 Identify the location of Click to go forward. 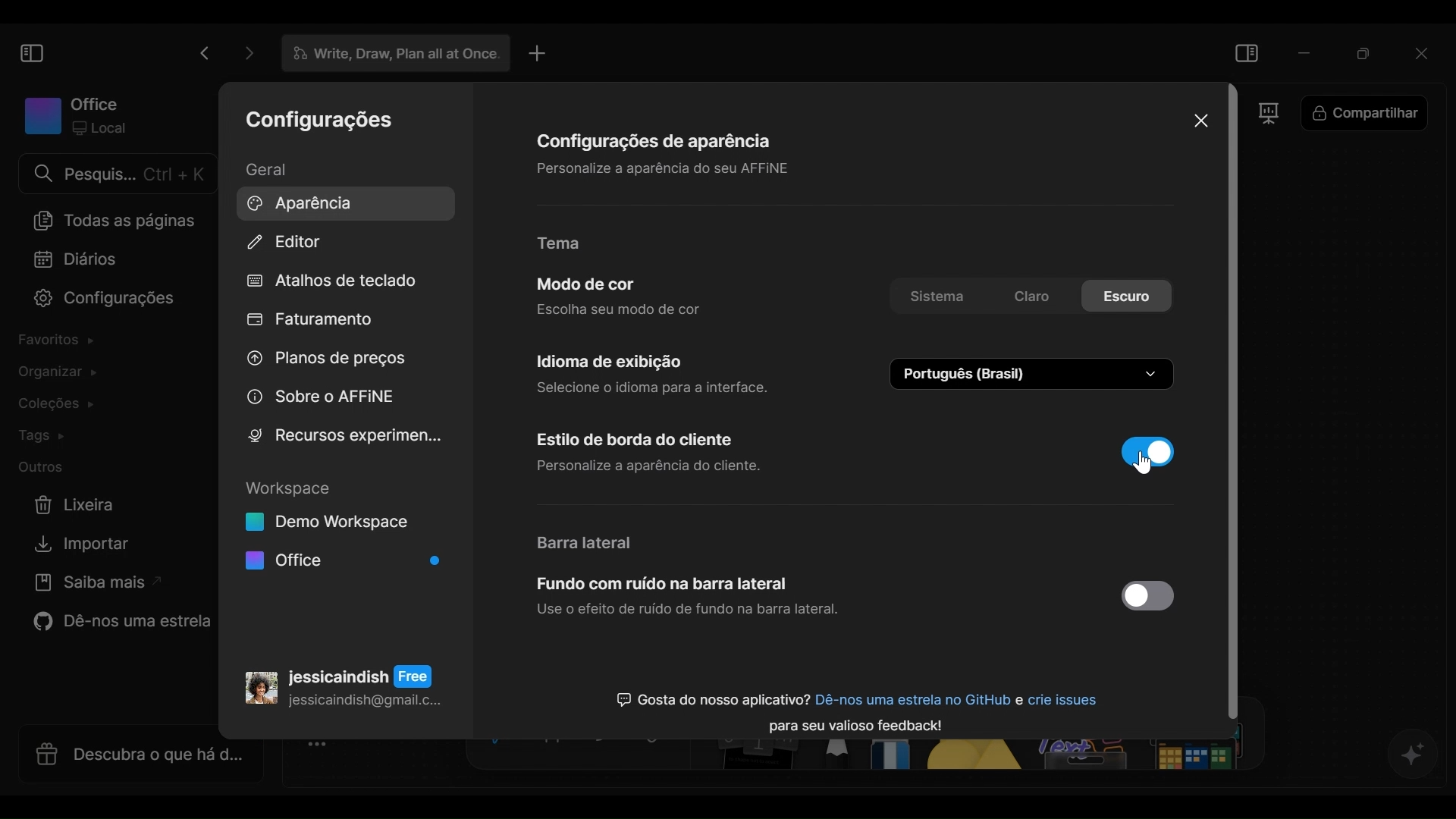
(244, 53).